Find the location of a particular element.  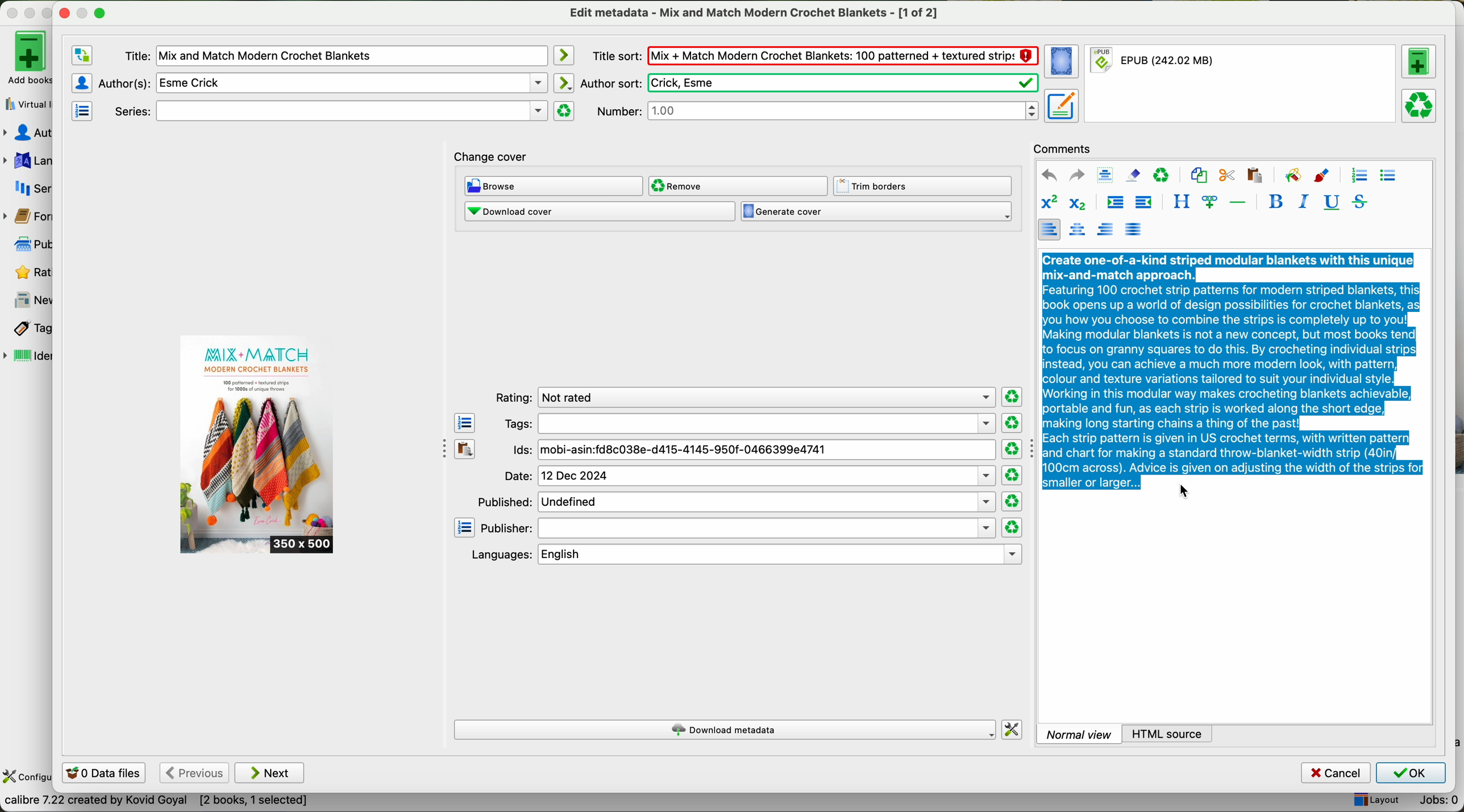

languages is located at coordinates (27, 161).